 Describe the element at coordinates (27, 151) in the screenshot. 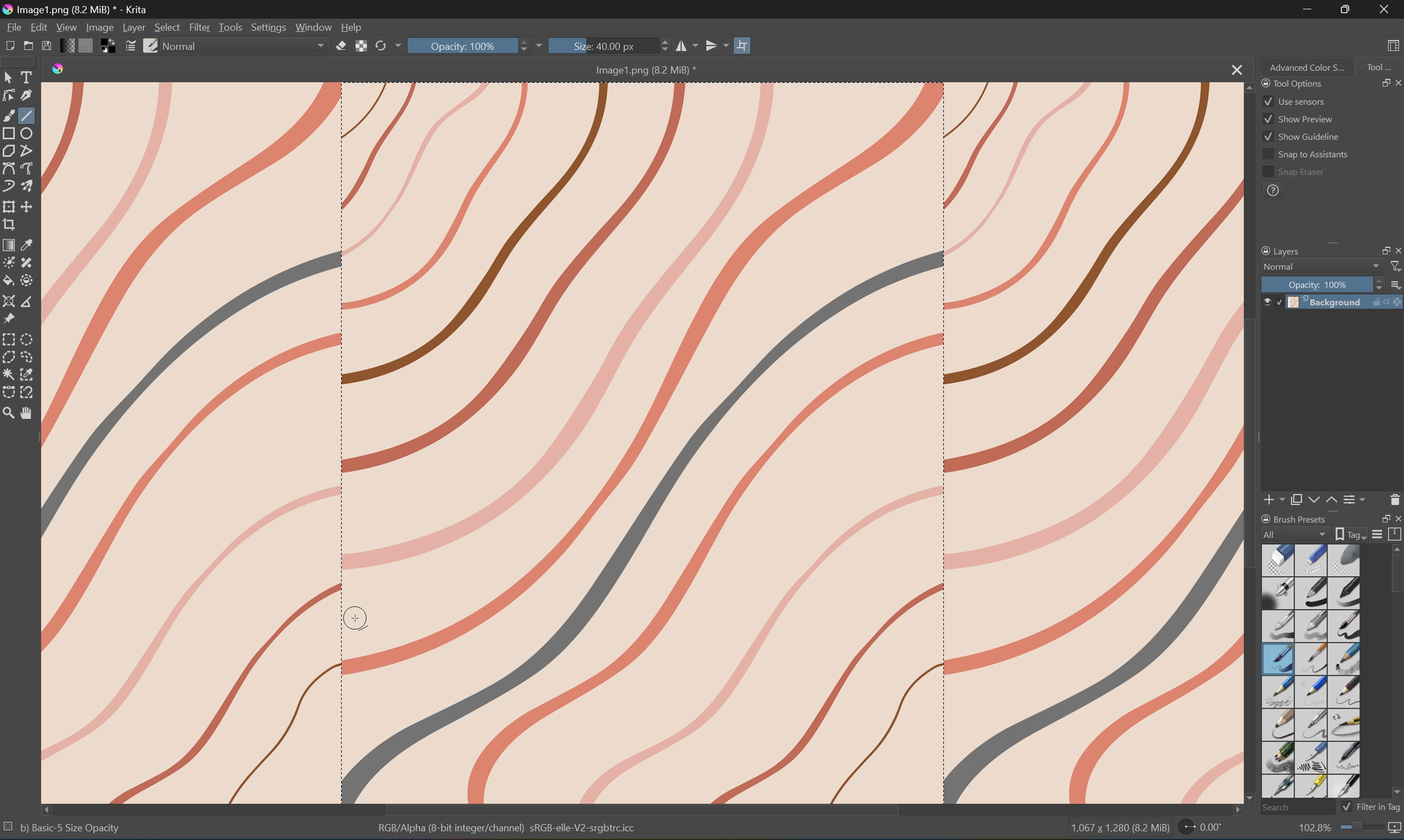

I see `Polyline tool` at that location.